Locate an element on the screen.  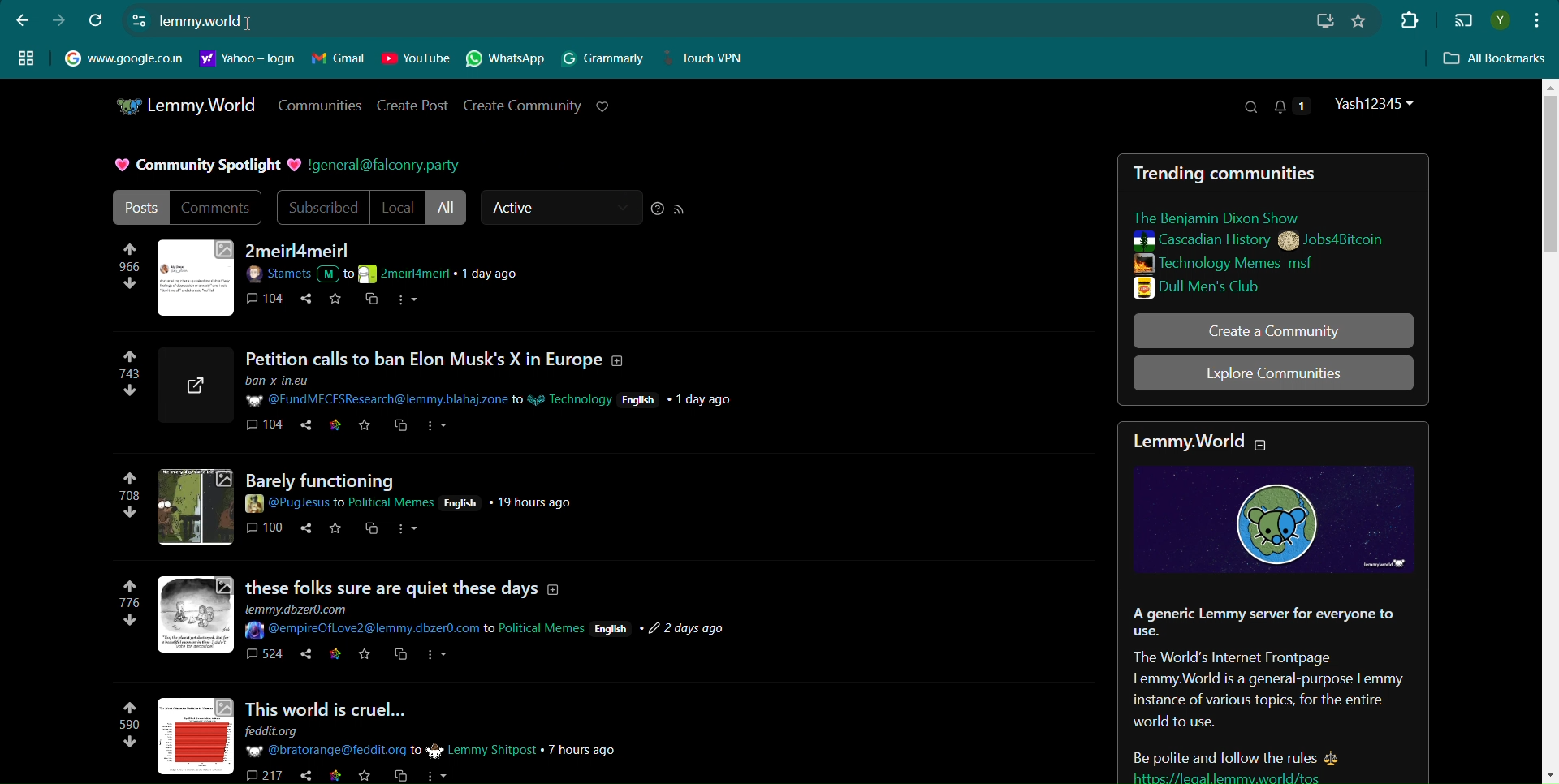
Dbratorange@feddit.org to +e Lemmy Shitpost » 7 hours ago is located at coordinates (432, 750).